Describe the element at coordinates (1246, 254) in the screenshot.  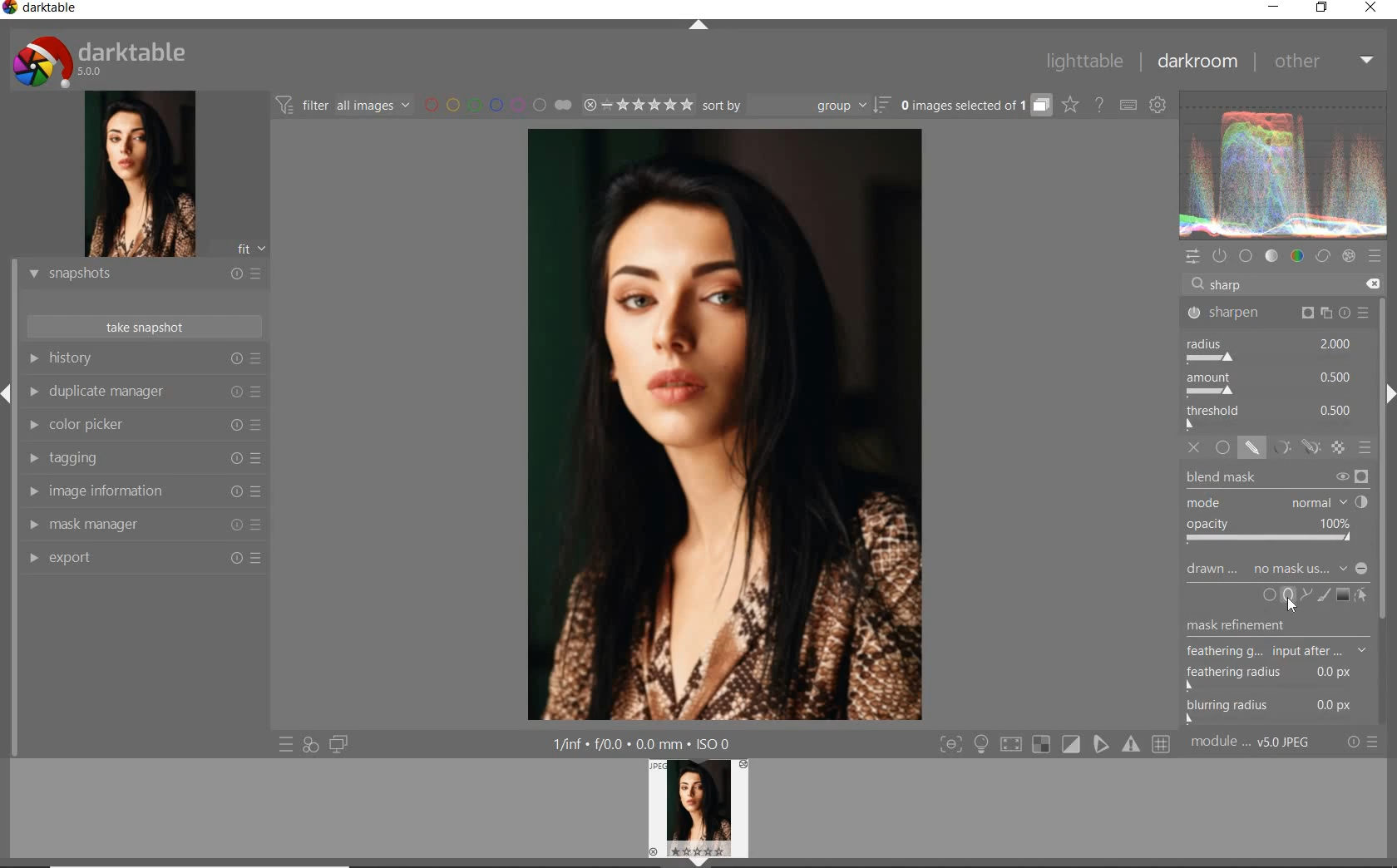
I see `base` at that location.